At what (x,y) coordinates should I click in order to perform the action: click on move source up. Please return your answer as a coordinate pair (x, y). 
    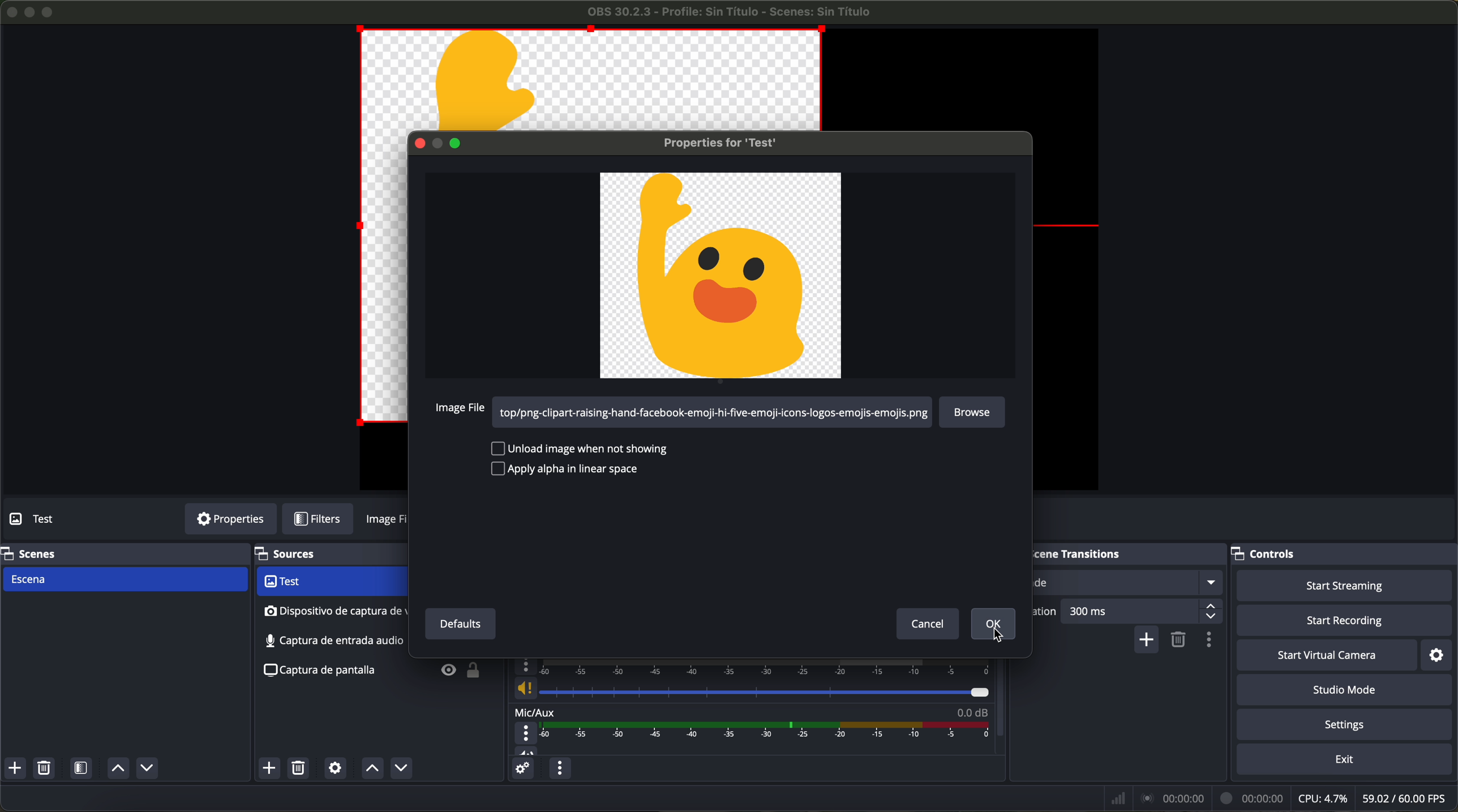
    Looking at the image, I should click on (372, 768).